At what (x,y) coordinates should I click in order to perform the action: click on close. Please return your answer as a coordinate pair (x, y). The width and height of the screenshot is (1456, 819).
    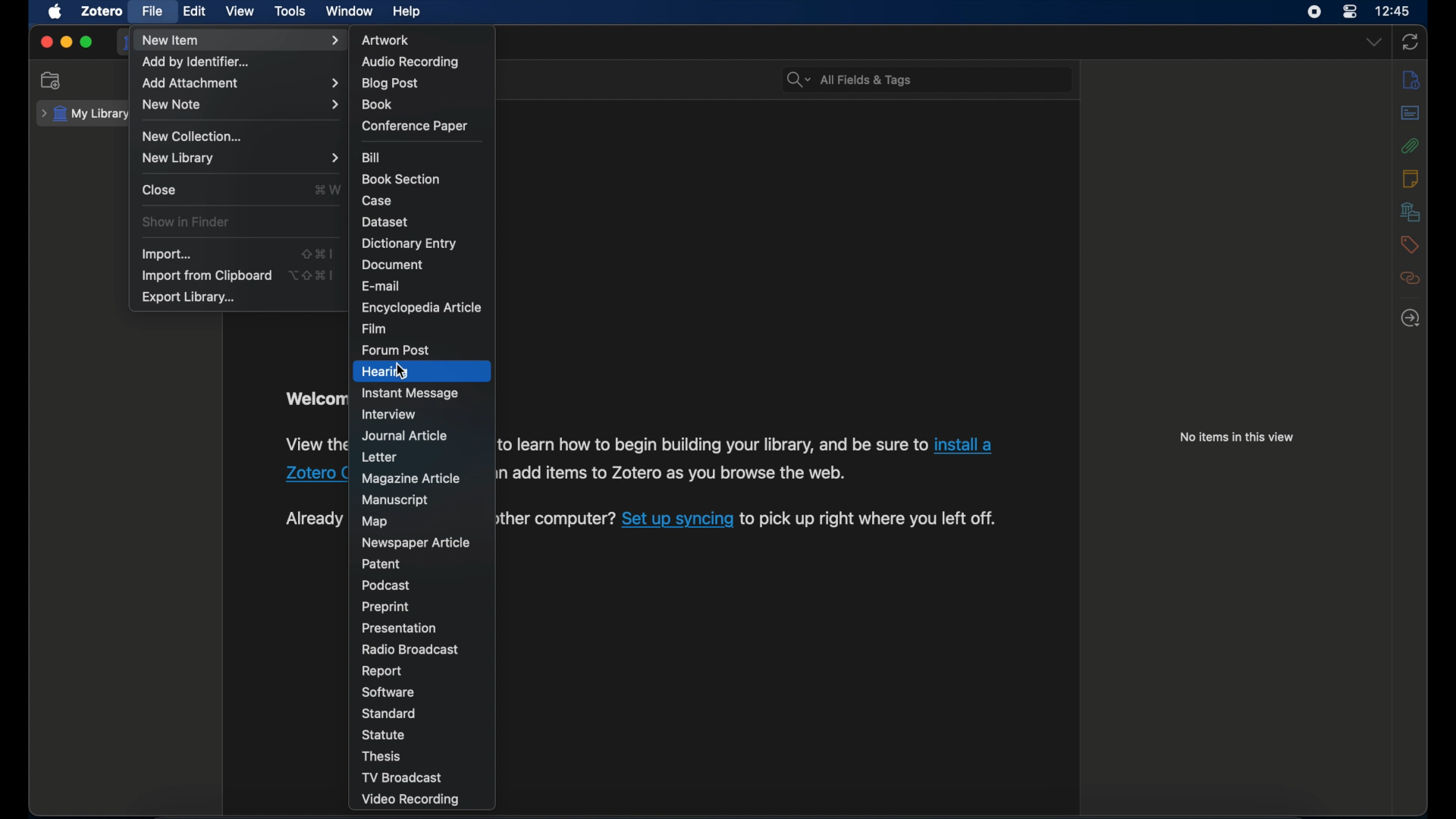
    Looking at the image, I should click on (160, 190).